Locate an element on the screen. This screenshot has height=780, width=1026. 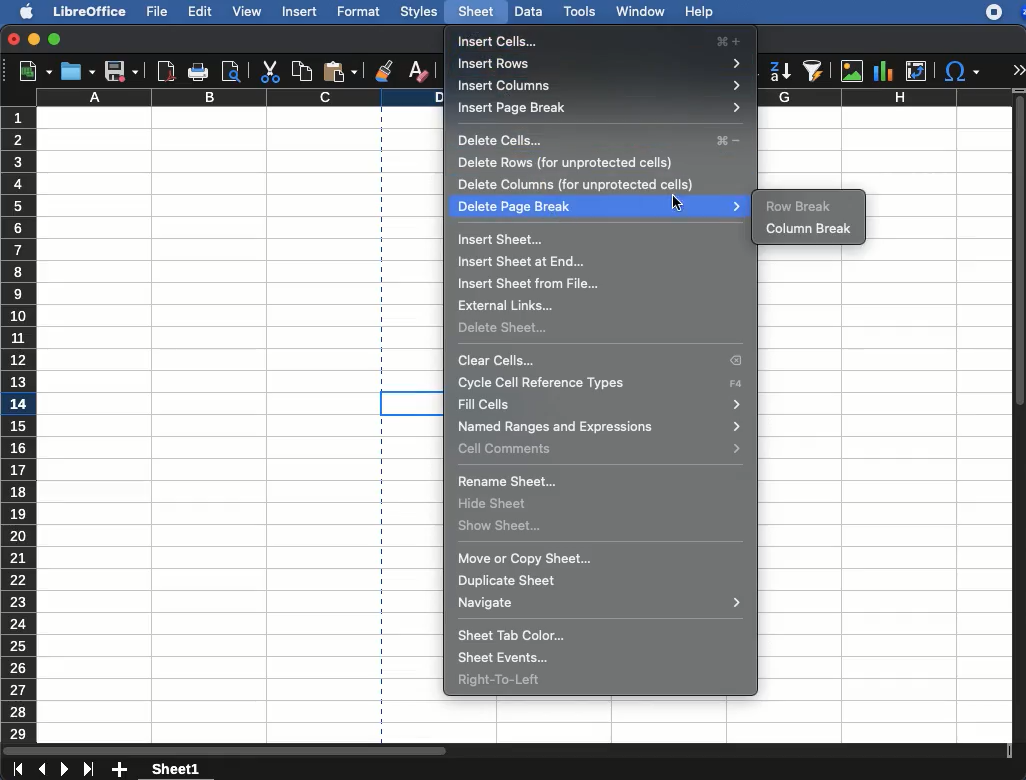
cycle cell reference type is located at coordinates (601, 383).